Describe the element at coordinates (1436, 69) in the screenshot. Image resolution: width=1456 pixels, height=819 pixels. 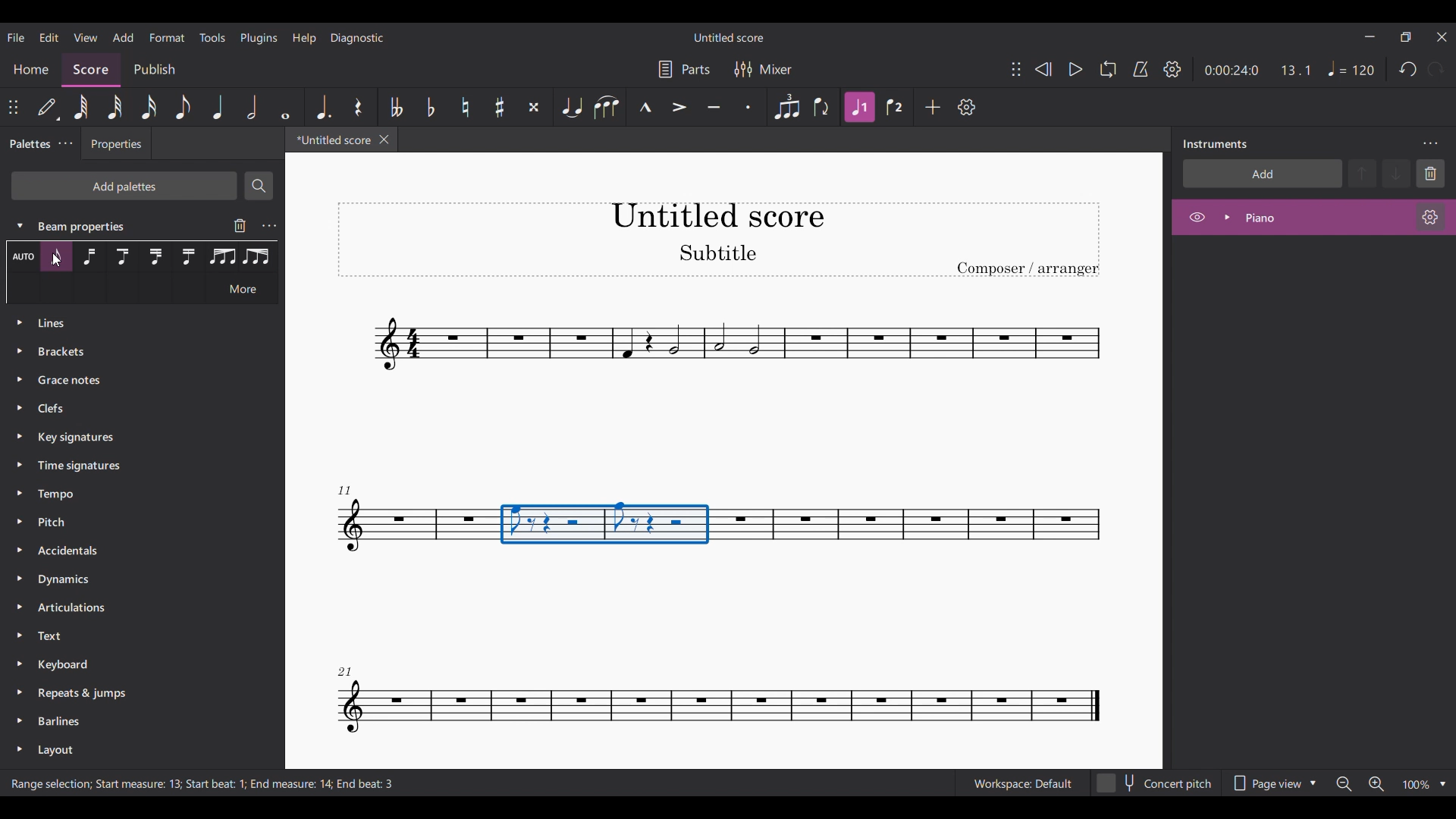
I see `Redo` at that location.